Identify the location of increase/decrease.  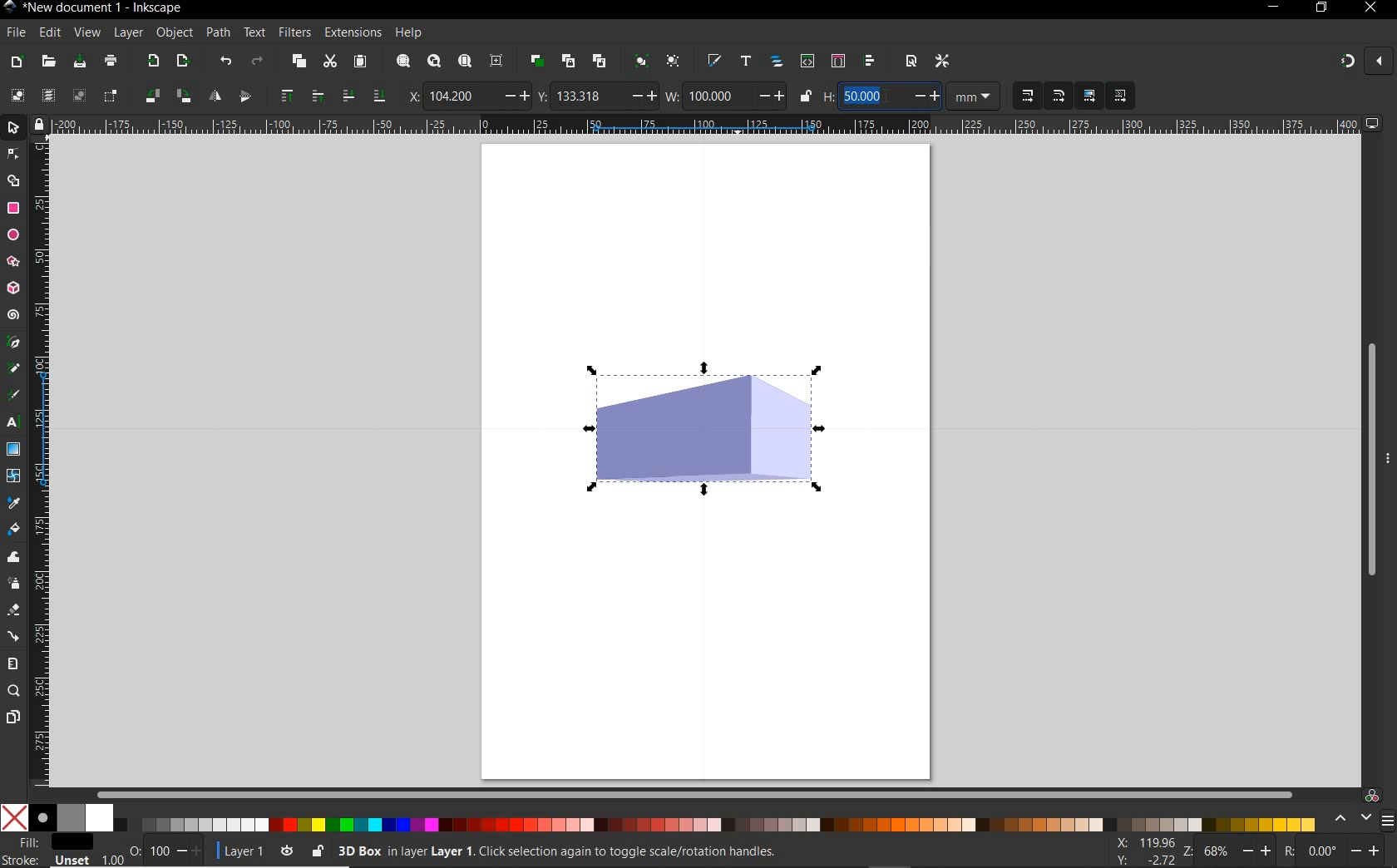
(770, 96).